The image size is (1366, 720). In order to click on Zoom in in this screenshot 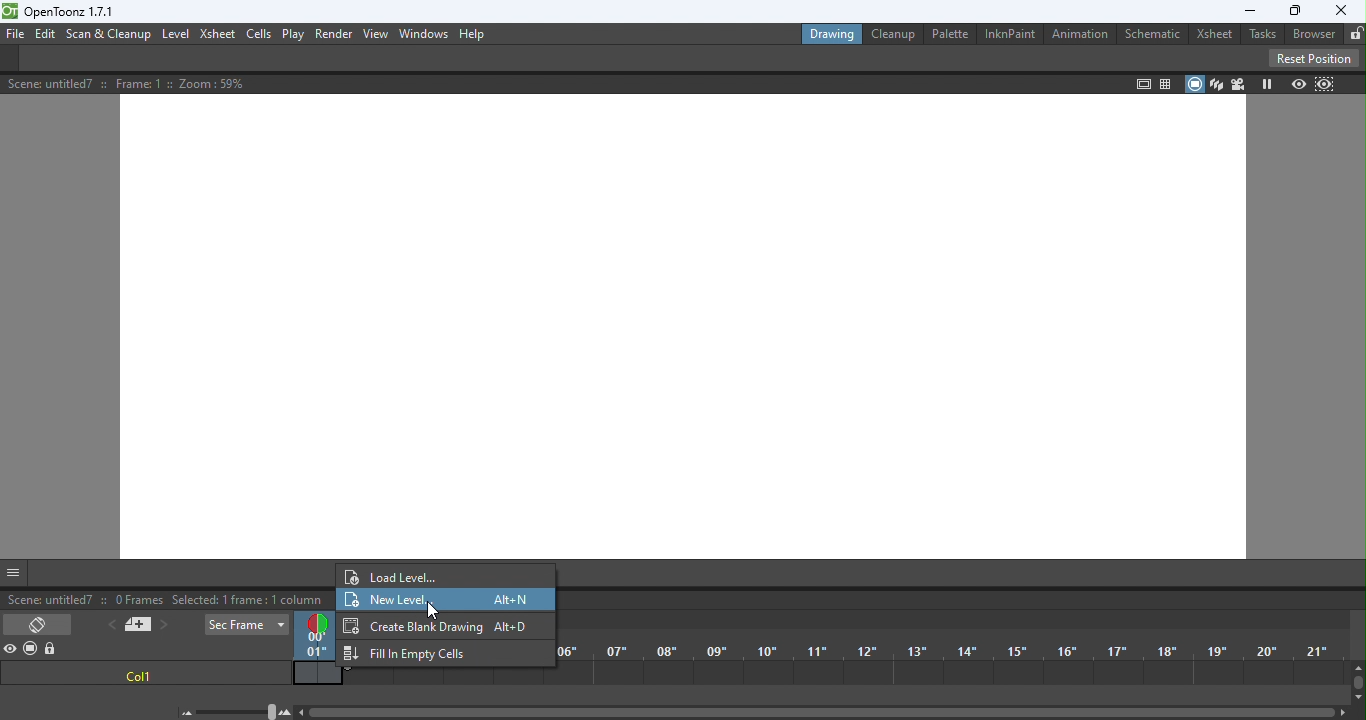, I will do `click(286, 712)`.